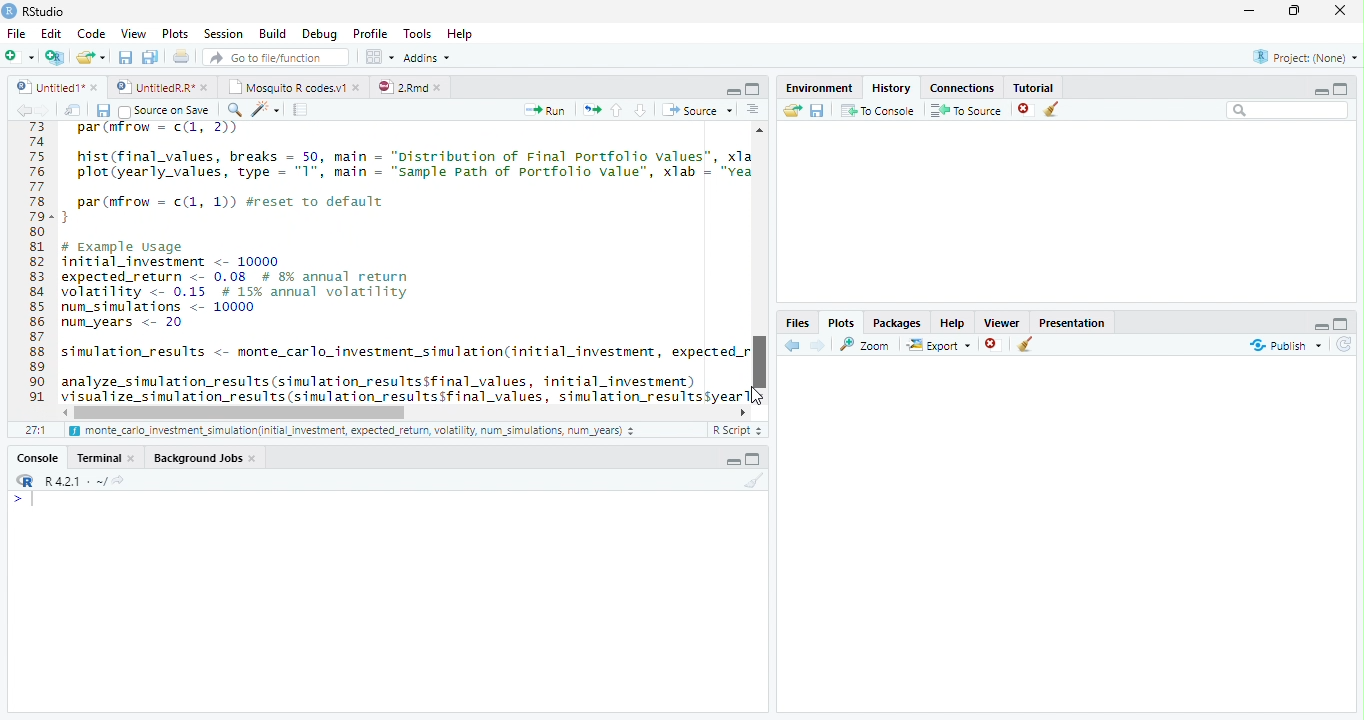 Image resolution: width=1364 pixels, height=720 pixels. I want to click on R 4.2.1 ~/, so click(67, 479).